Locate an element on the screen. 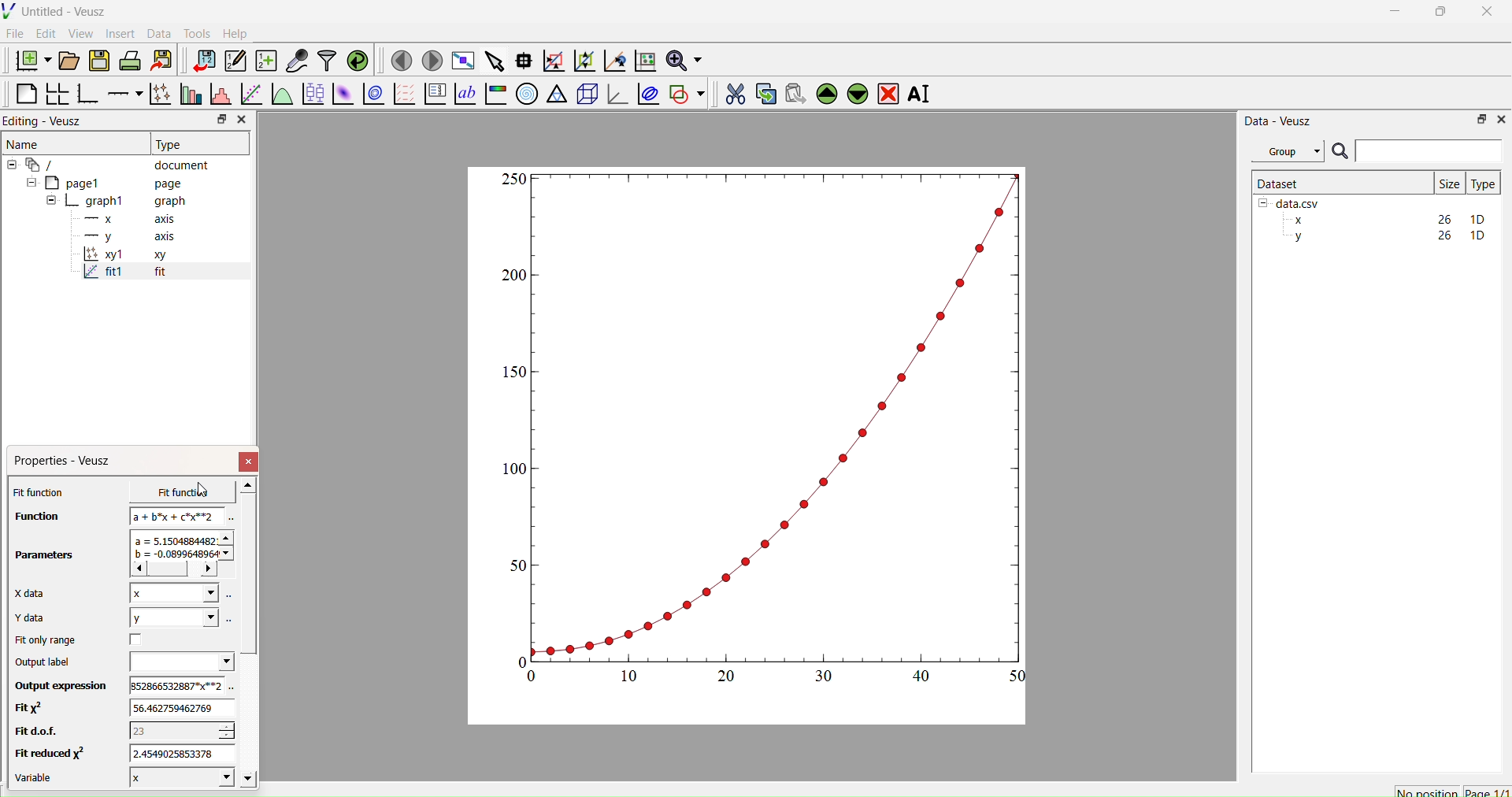 The height and width of the screenshot is (797, 1512). Polar Graph is located at coordinates (527, 94).